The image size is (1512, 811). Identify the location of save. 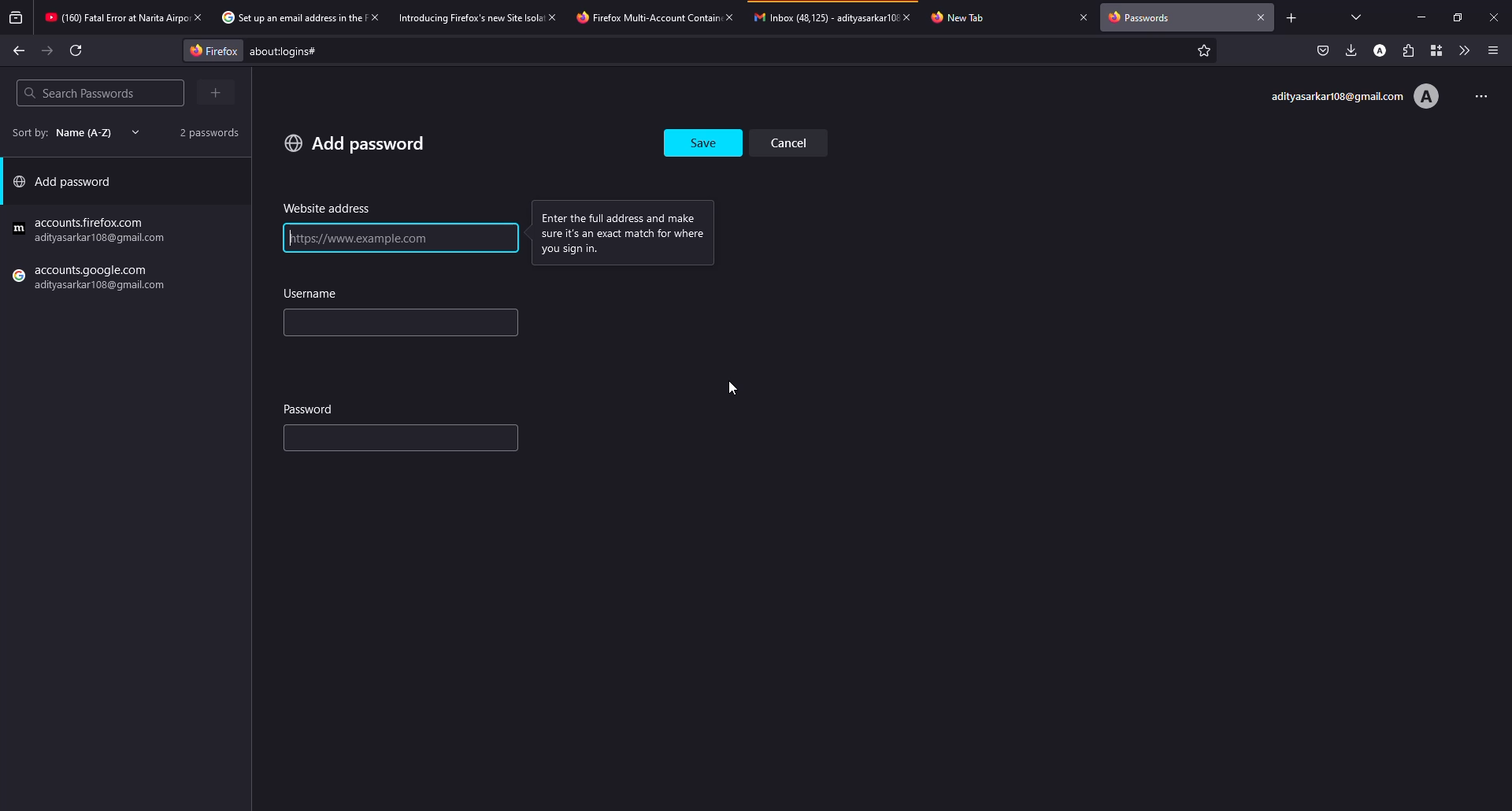
(705, 139).